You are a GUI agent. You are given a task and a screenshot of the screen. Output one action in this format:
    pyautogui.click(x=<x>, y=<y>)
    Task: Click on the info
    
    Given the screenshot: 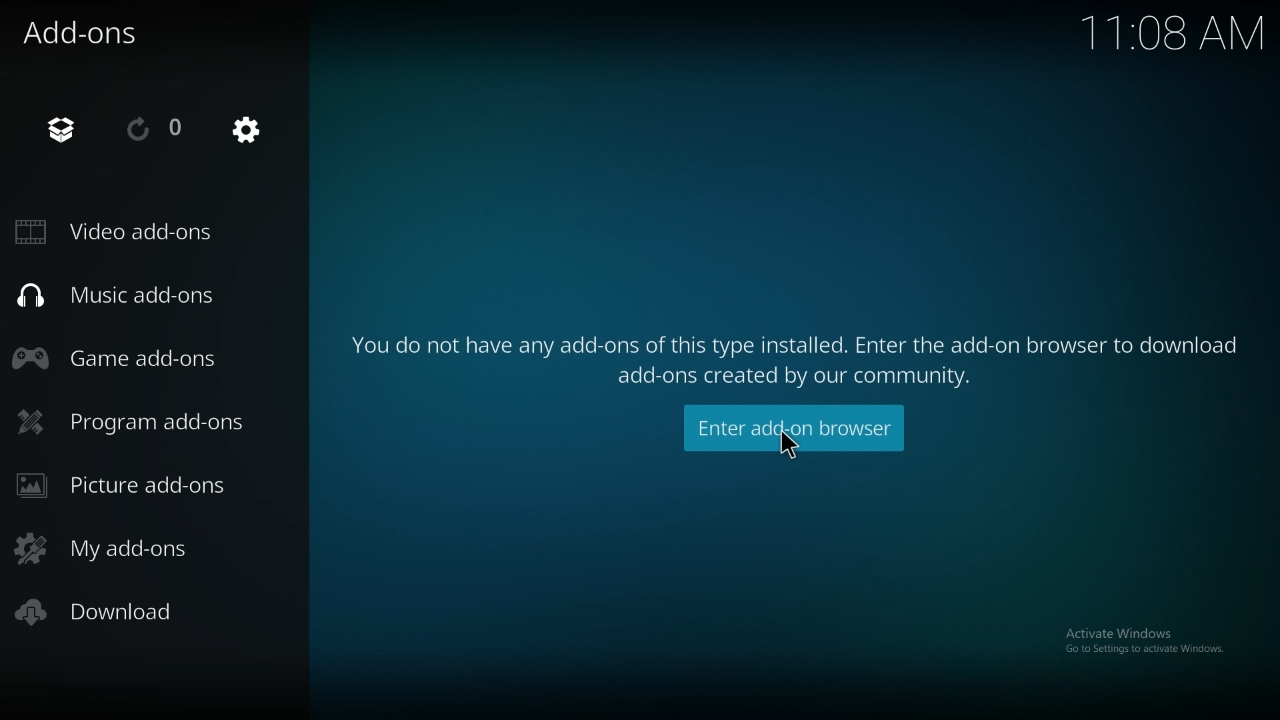 What is the action you would take?
    pyautogui.click(x=797, y=349)
    